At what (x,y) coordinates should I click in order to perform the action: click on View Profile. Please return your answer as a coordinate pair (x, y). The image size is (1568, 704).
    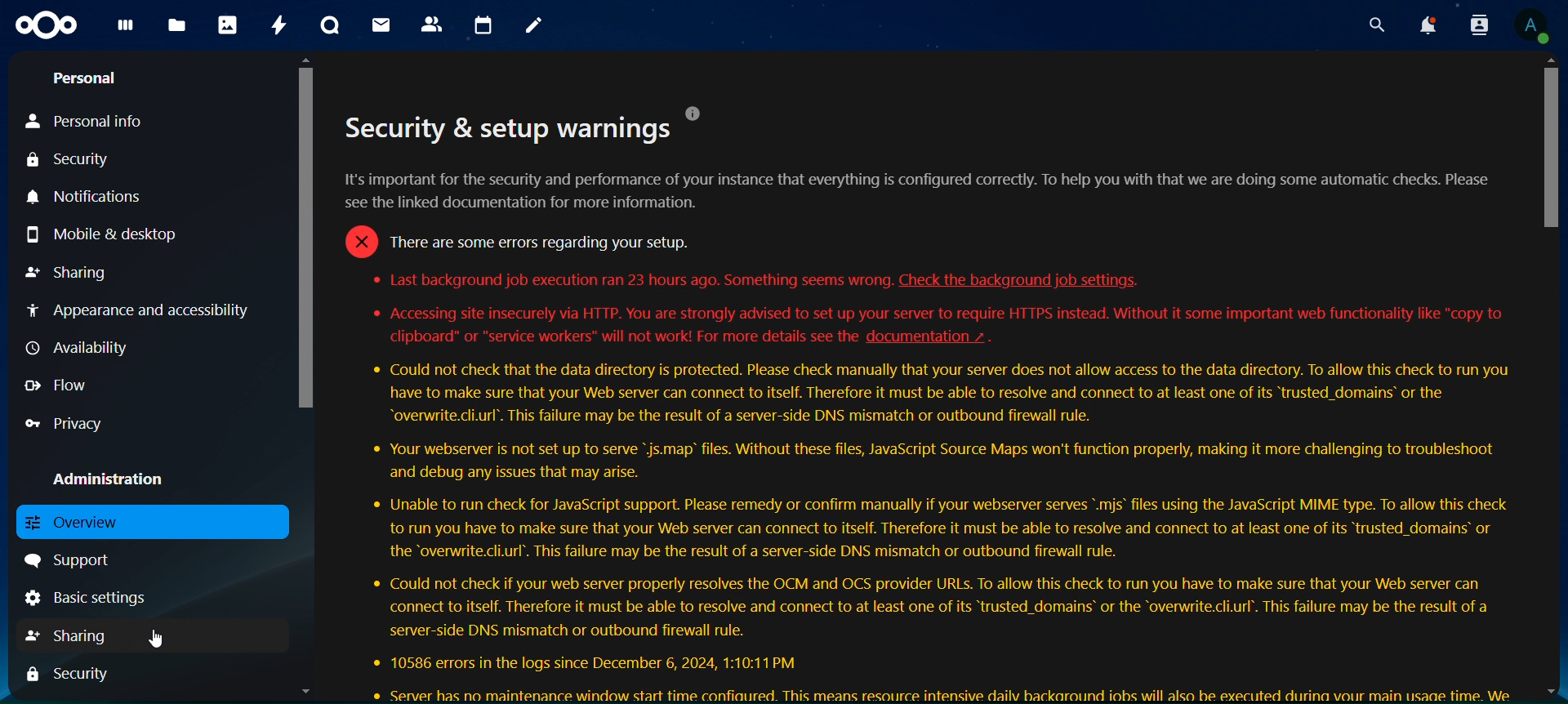
    Looking at the image, I should click on (1536, 27).